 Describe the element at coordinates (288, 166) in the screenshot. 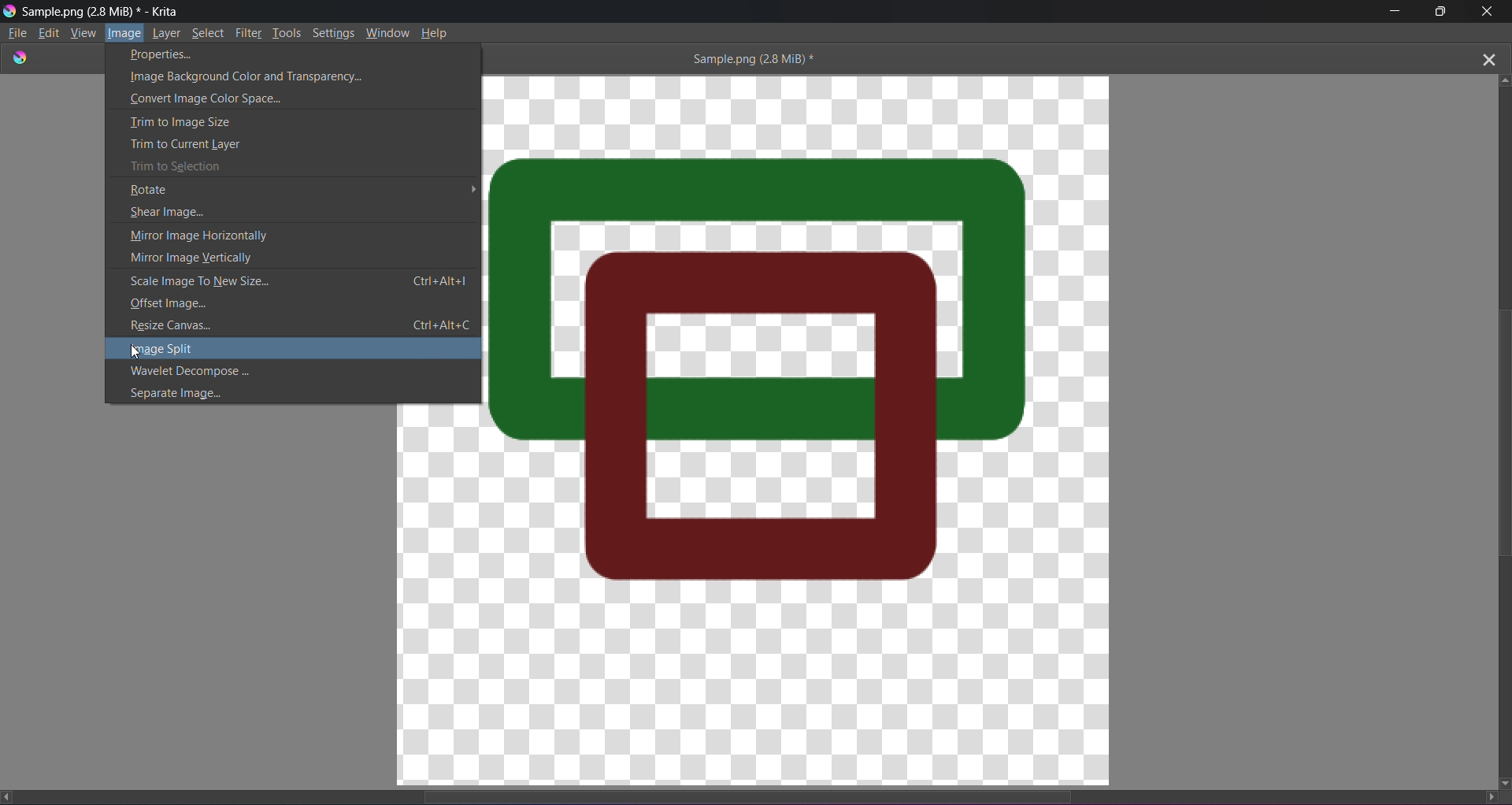

I see `Trim to Selection` at that location.